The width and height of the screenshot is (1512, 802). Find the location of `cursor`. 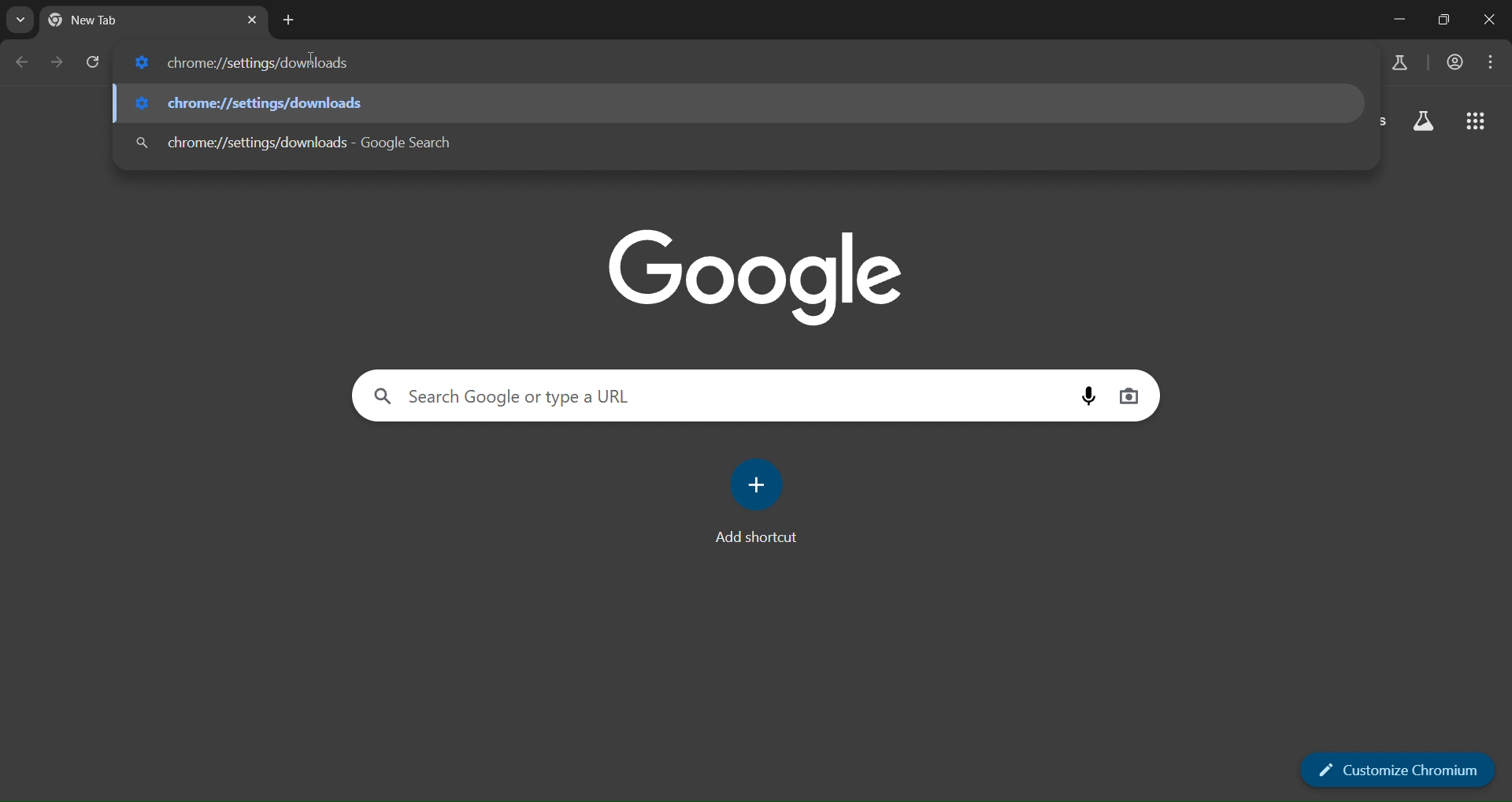

cursor is located at coordinates (315, 61).